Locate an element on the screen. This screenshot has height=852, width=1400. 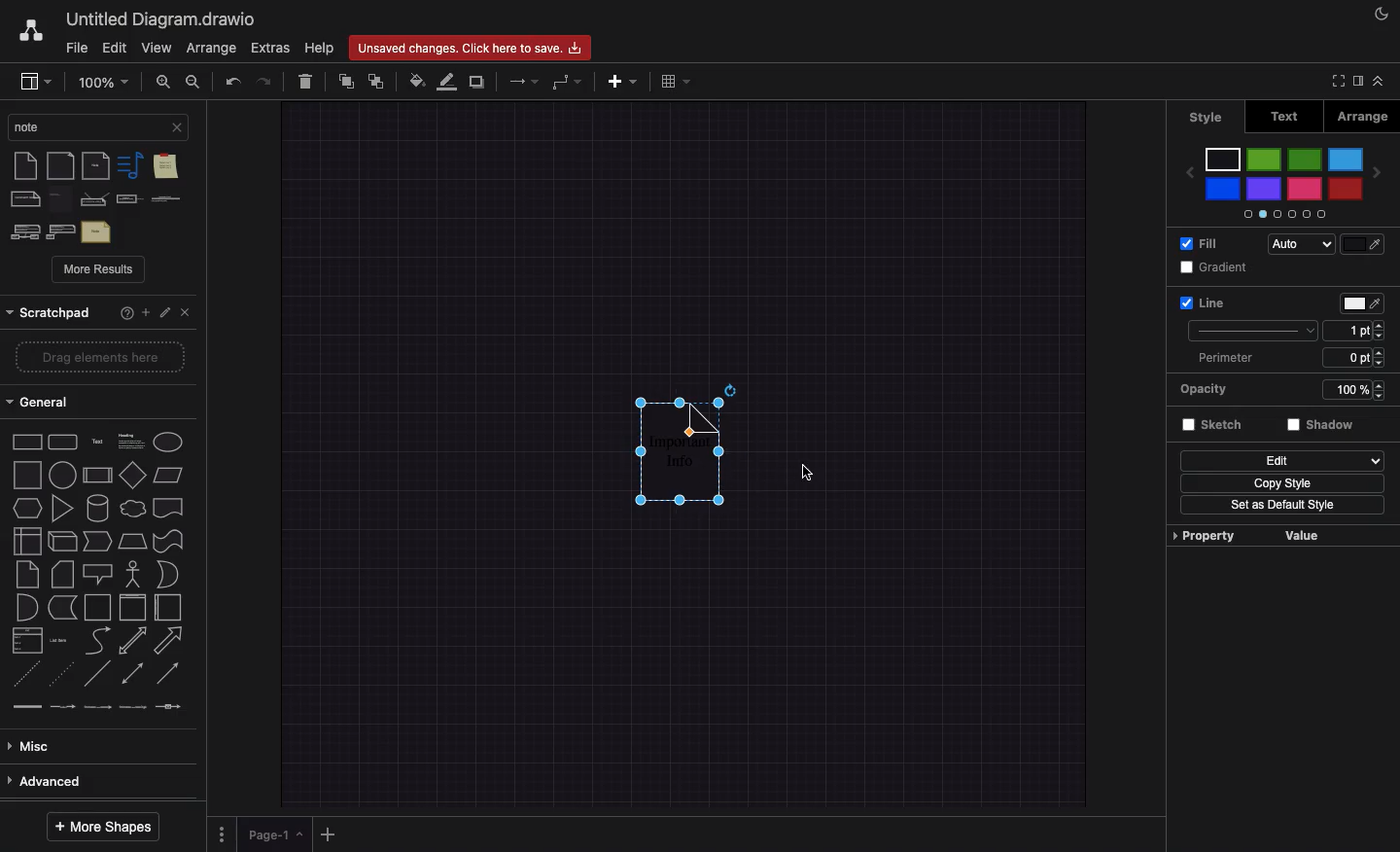
Trash is located at coordinates (303, 79).